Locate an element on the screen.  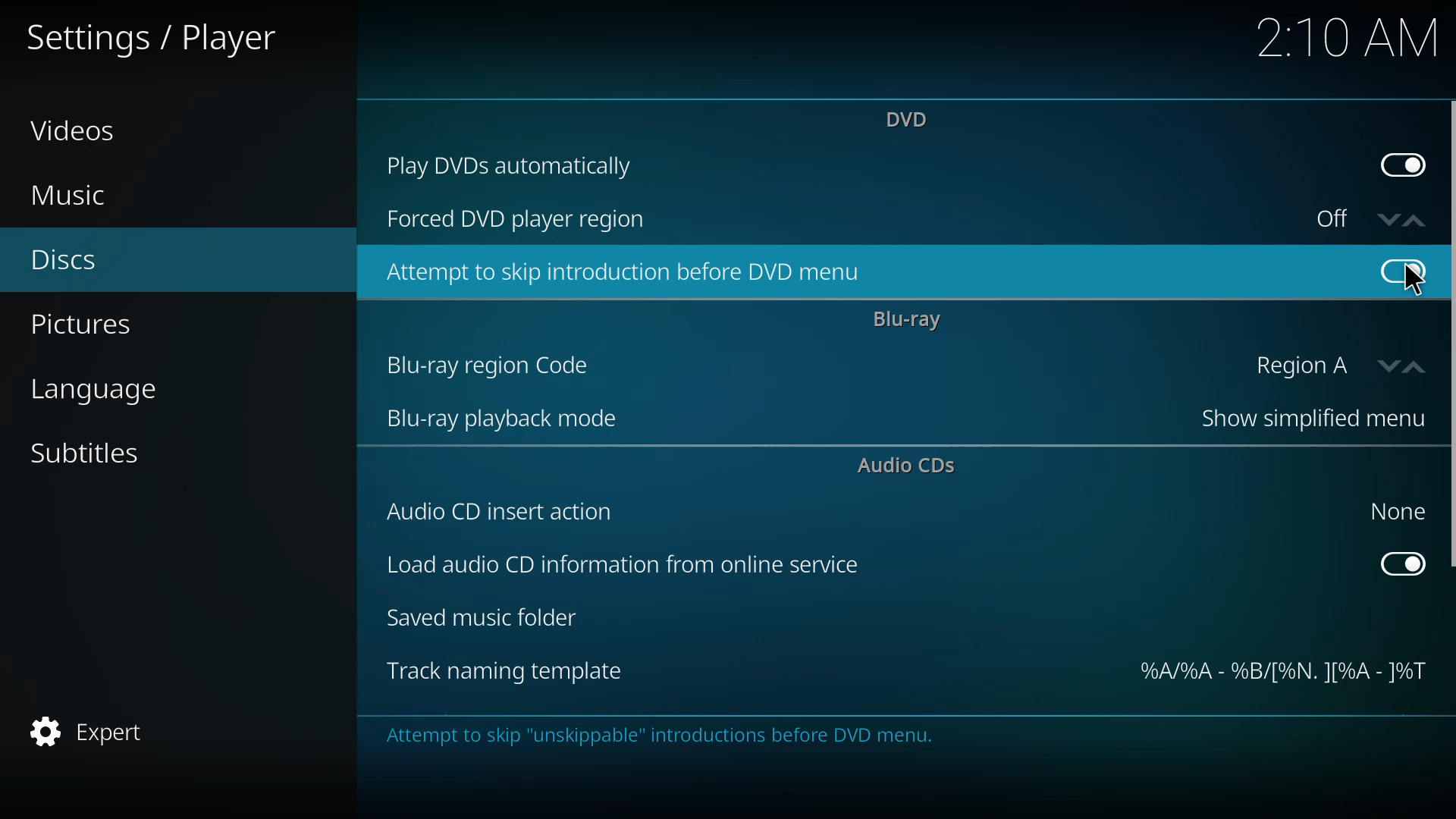
scroll bar is located at coordinates (1457, 331).